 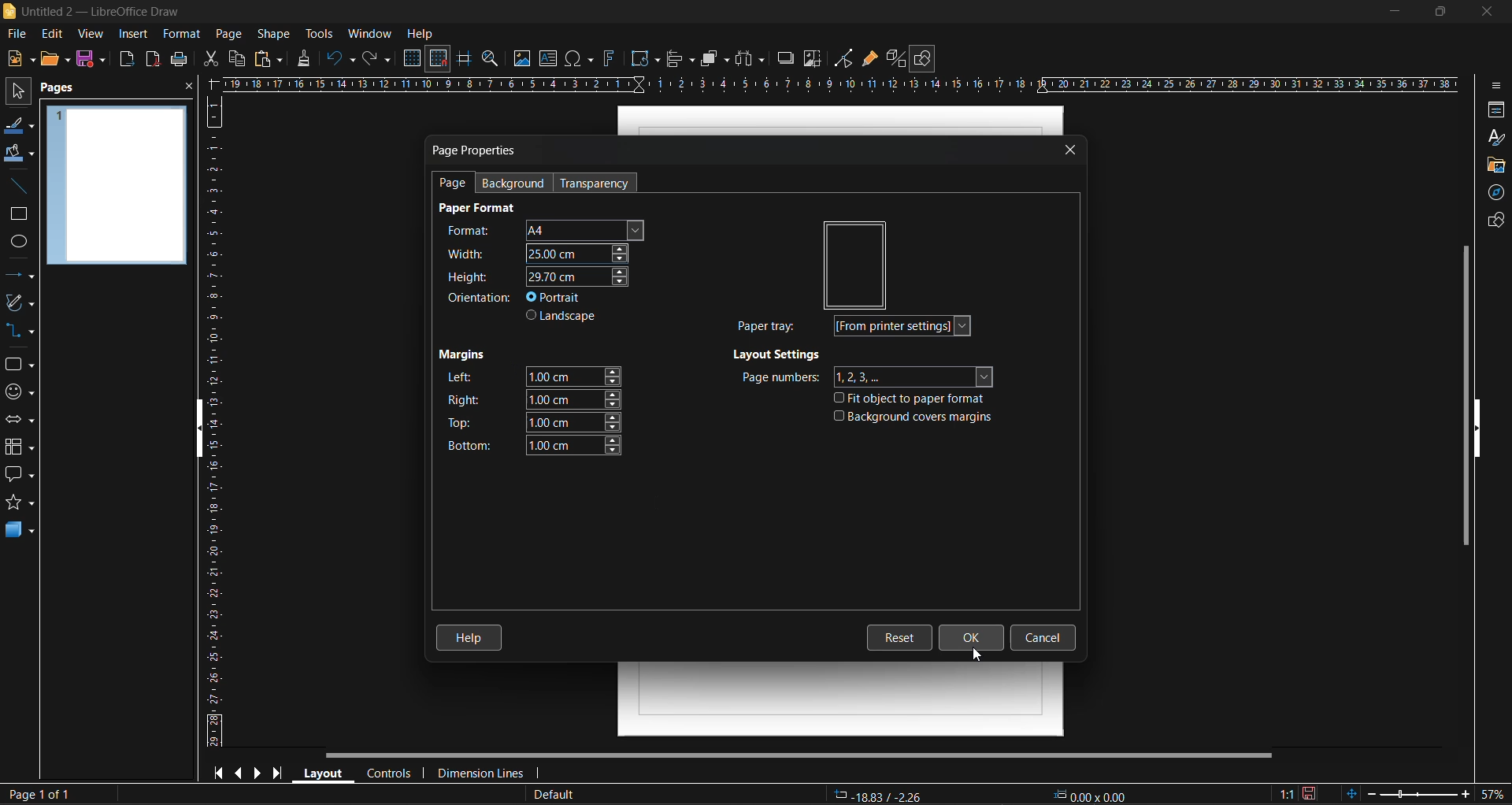 I want to click on tools, so click(x=320, y=33).